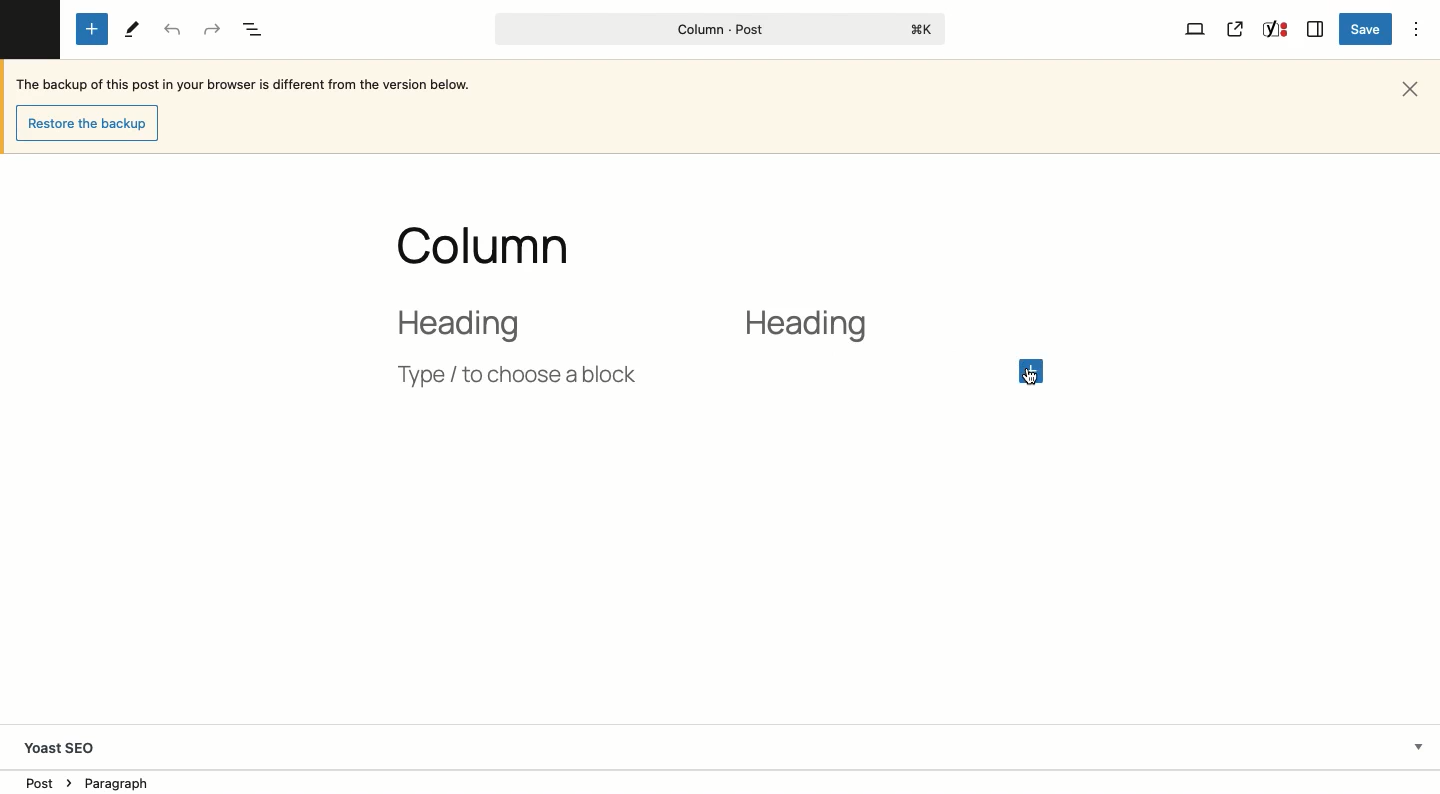  What do you see at coordinates (1033, 382) in the screenshot?
I see `cursor` at bounding box center [1033, 382].